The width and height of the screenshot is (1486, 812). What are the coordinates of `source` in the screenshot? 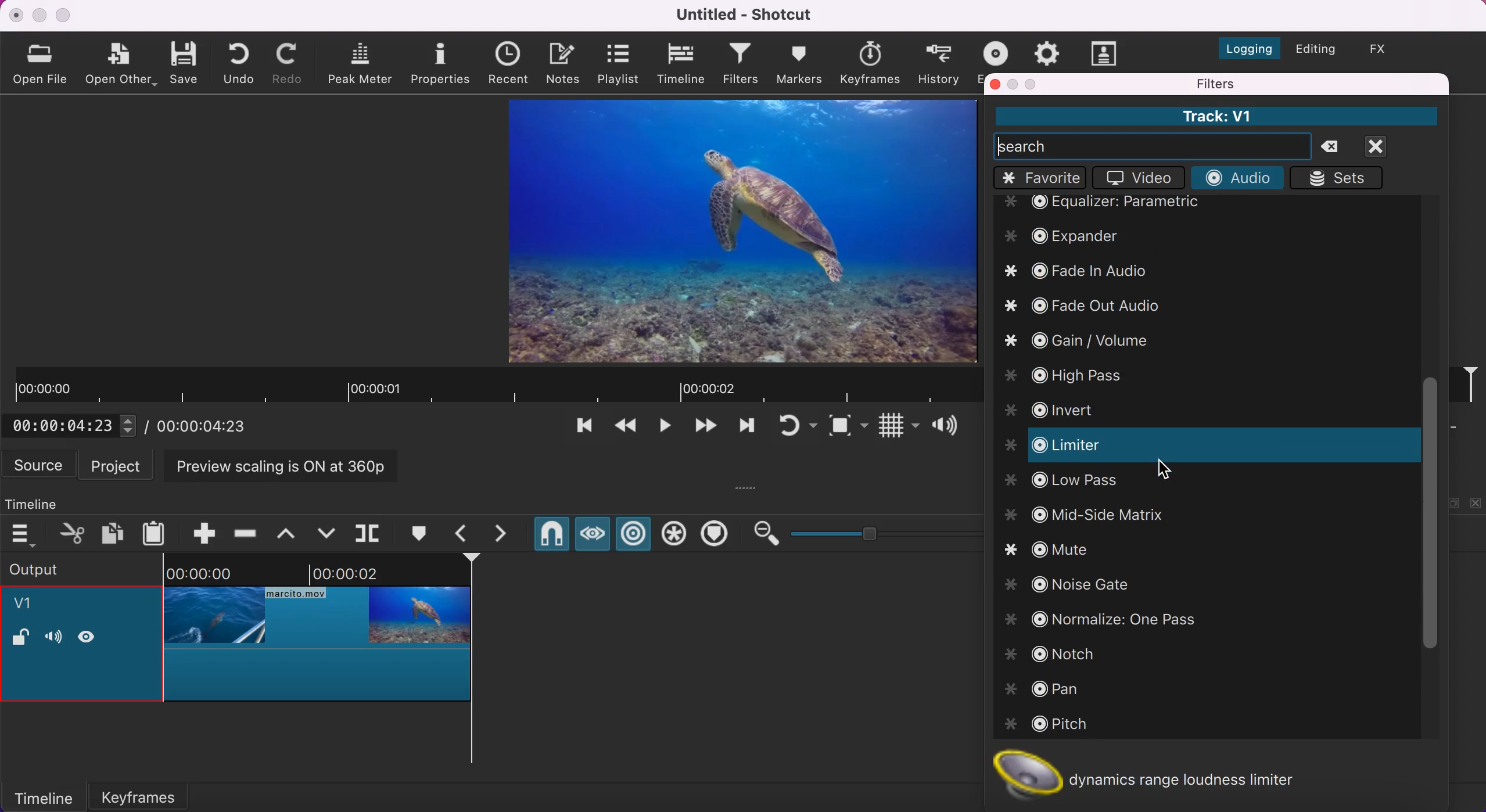 It's located at (40, 465).